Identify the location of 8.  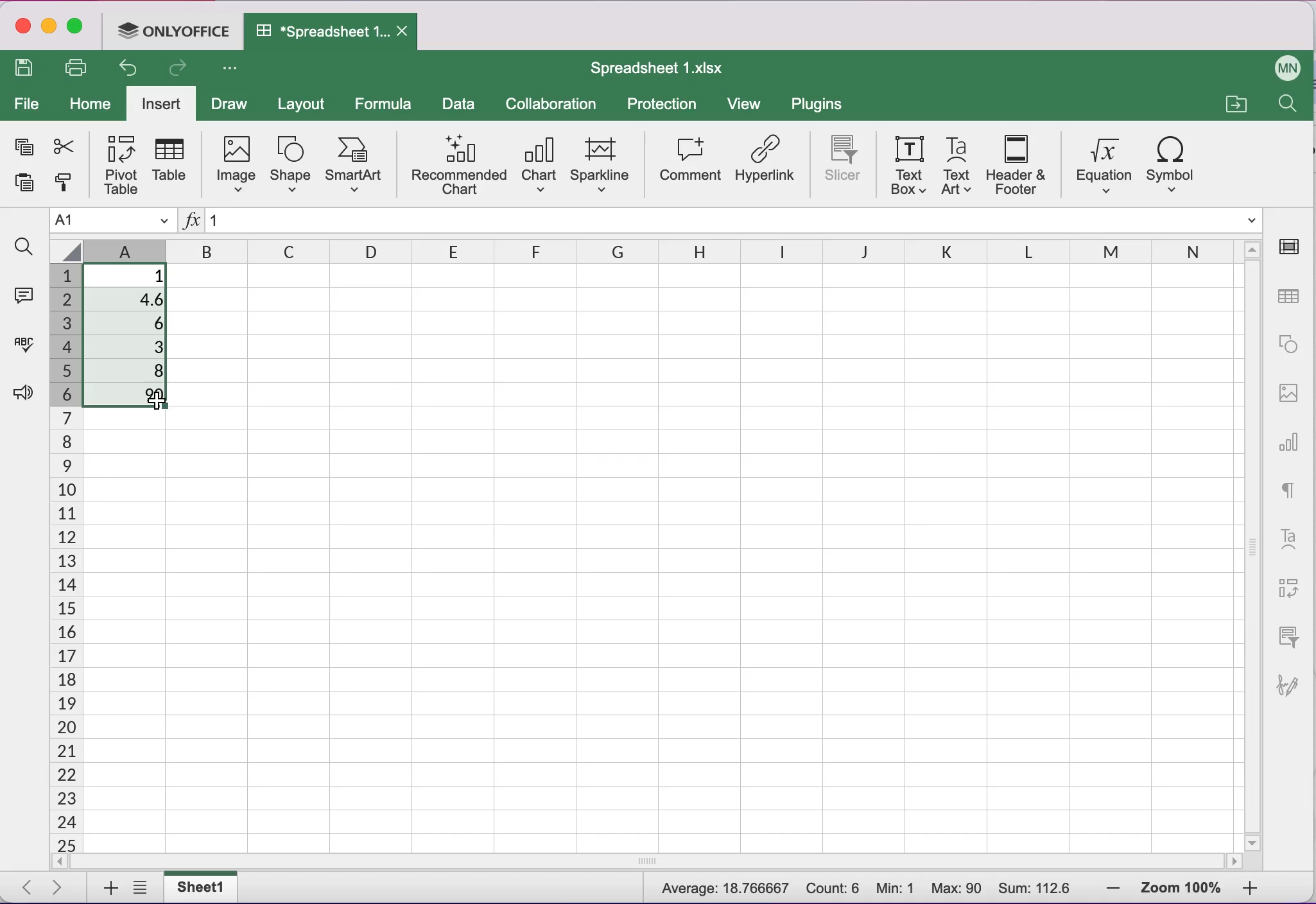
(134, 369).